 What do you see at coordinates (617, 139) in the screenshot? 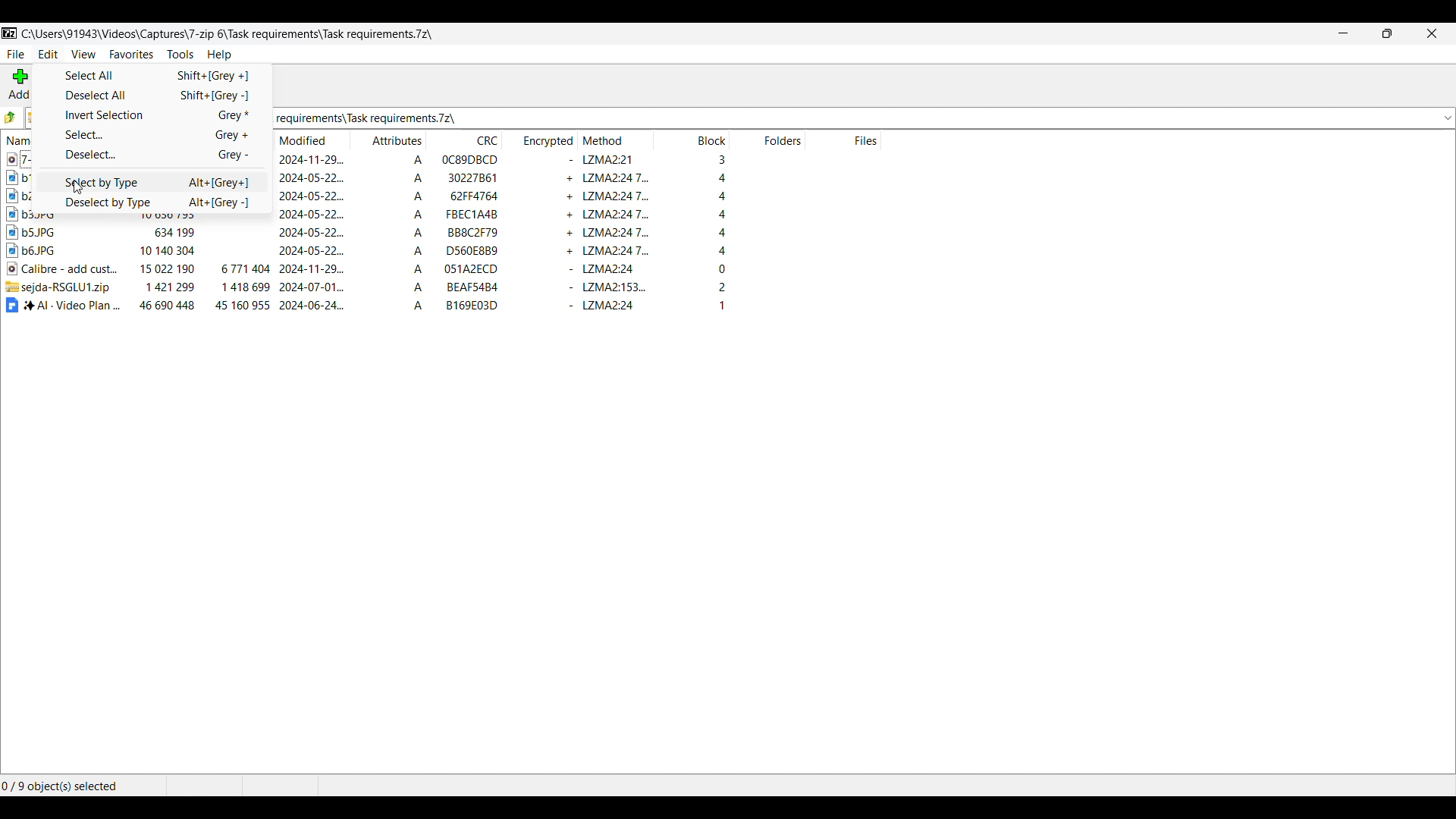
I see `Method column` at bounding box center [617, 139].